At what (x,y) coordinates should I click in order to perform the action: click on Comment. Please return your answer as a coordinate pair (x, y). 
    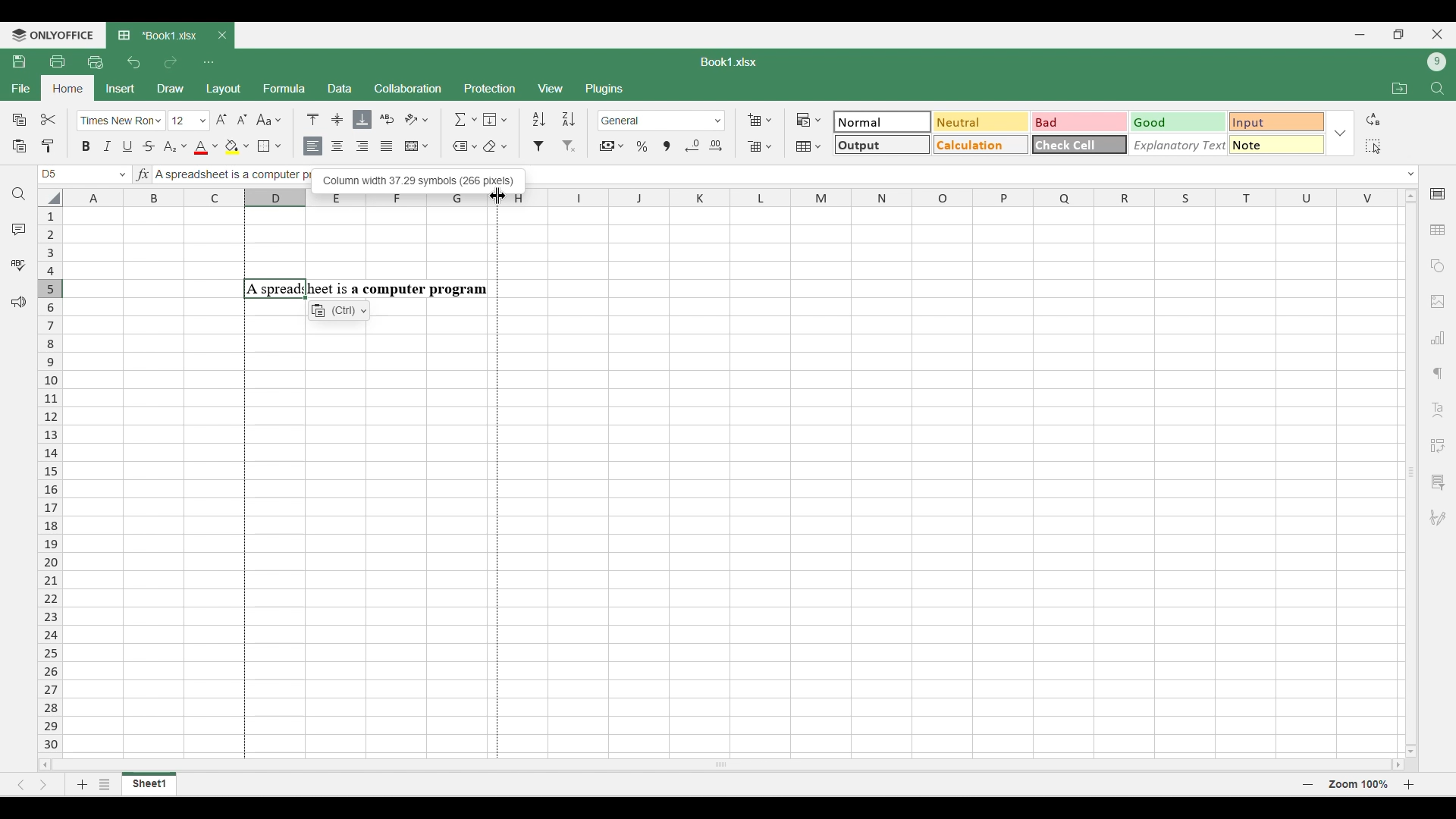
    Looking at the image, I should click on (19, 229).